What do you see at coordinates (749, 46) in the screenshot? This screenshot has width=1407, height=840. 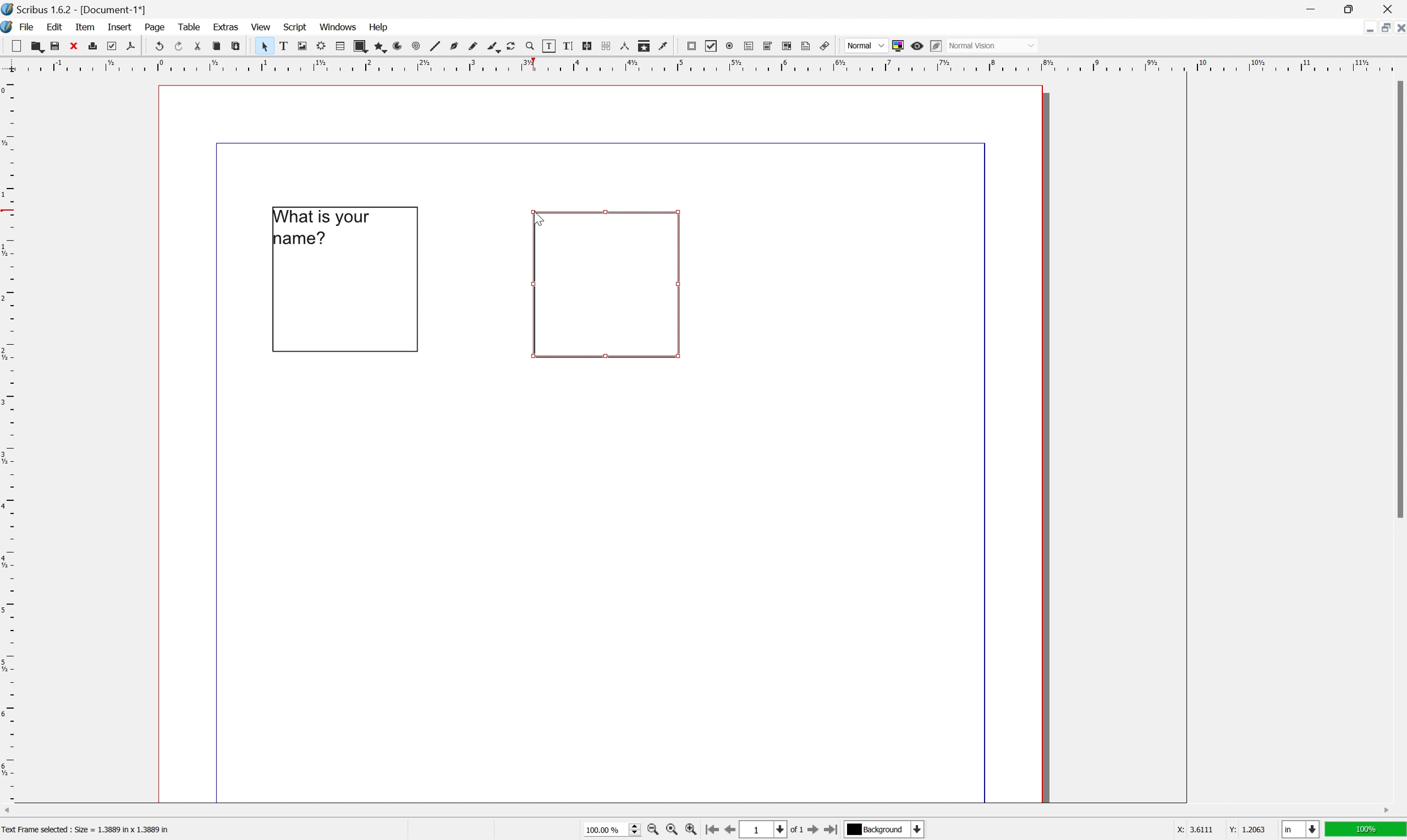 I see `pdf text field` at bounding box center [749, 46].